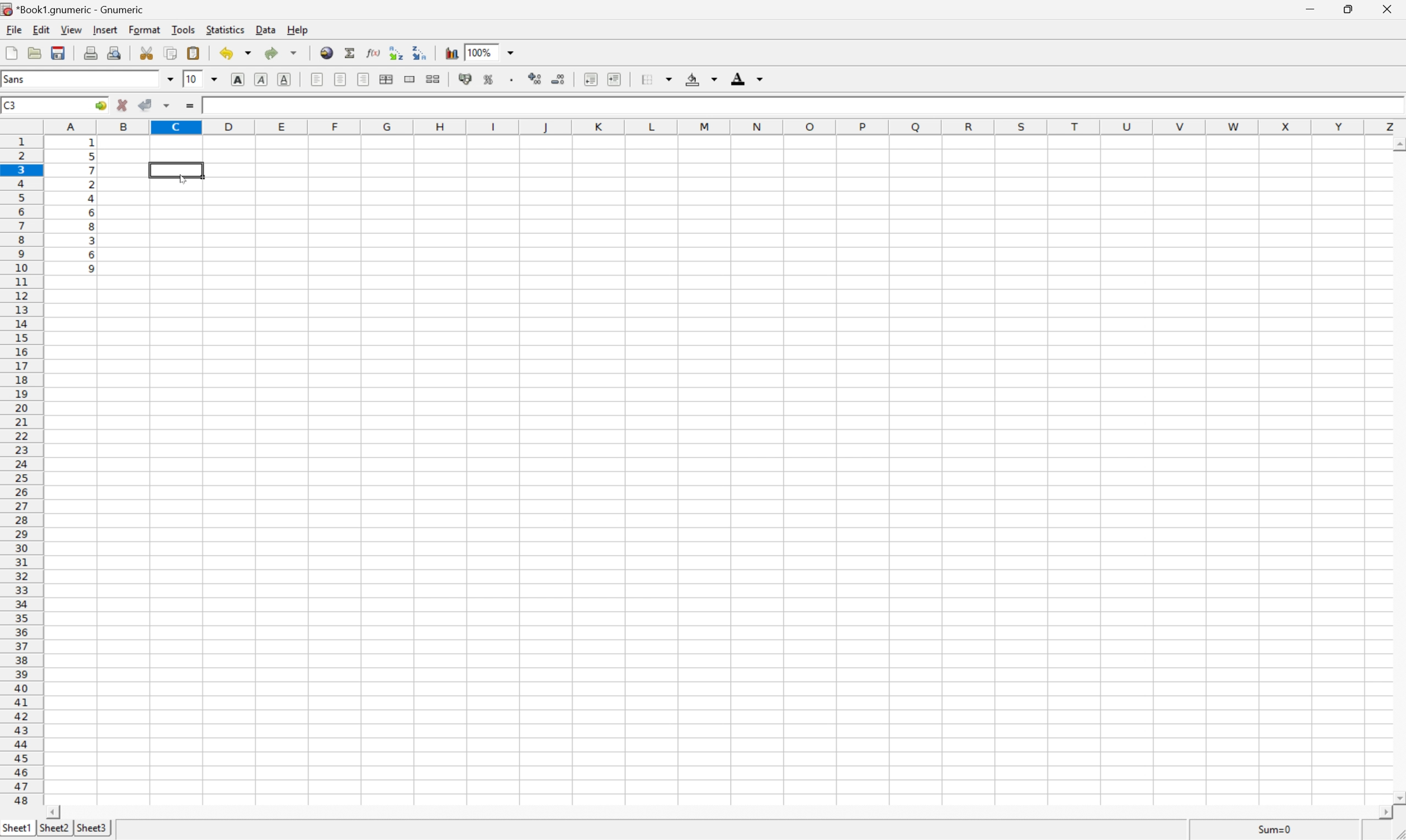  Describe the element at coordinates (436, 78) in the screenshot. I see `split range of merged cells` at that location.